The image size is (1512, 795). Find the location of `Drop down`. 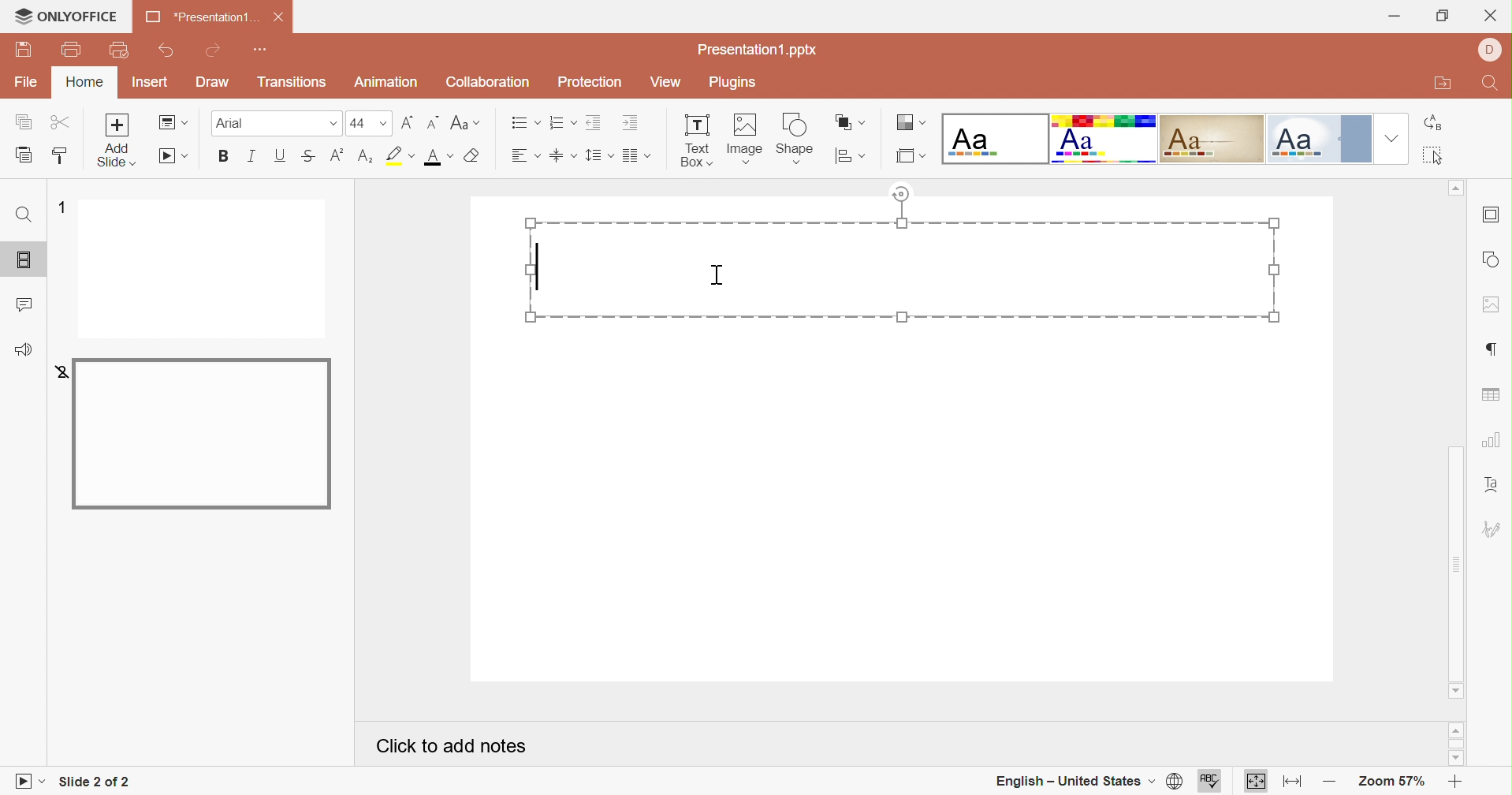

Drop down is located at coordinates (1393, 139).